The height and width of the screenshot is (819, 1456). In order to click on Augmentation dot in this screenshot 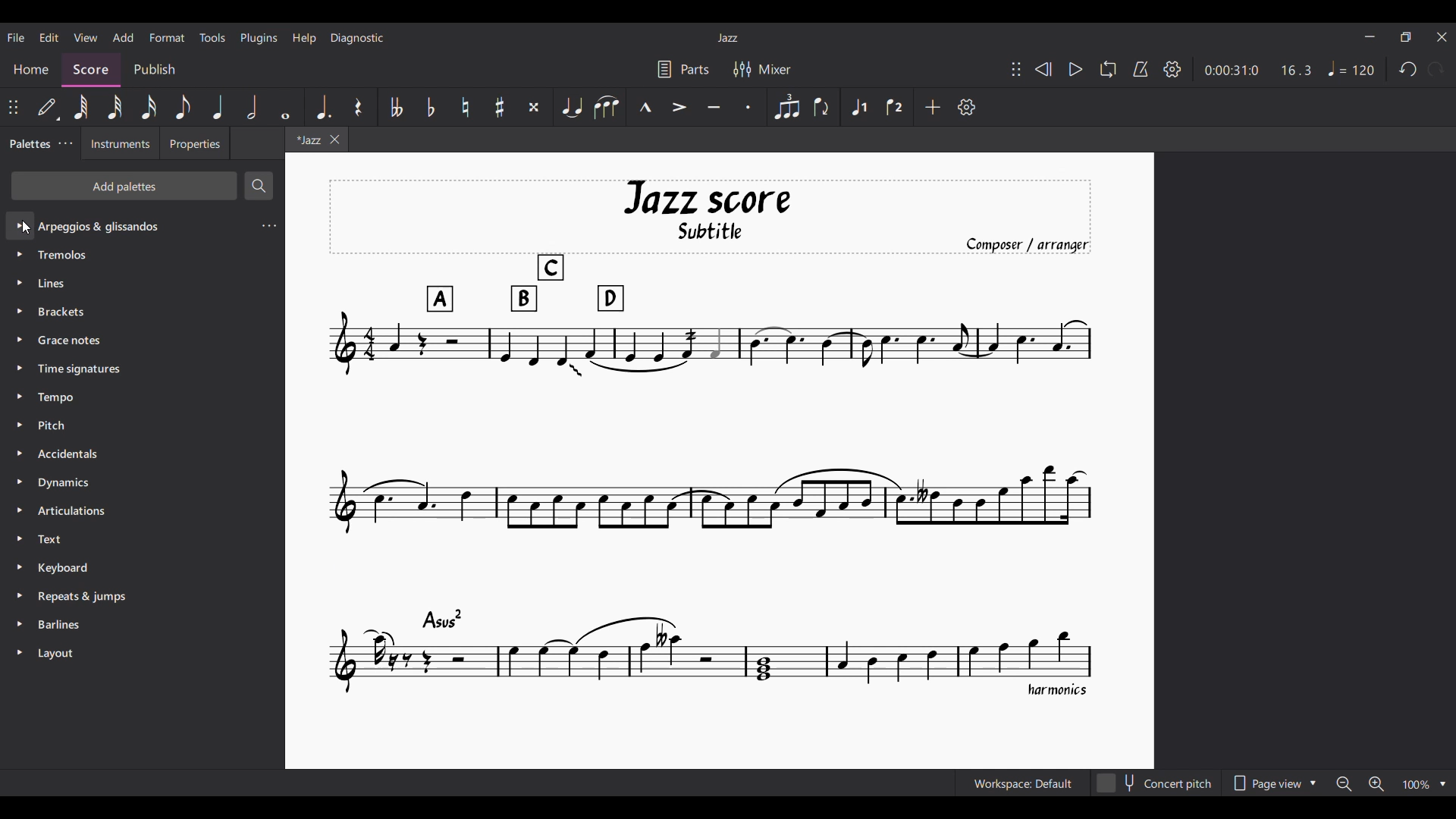, I will do `click(323, 108)`.